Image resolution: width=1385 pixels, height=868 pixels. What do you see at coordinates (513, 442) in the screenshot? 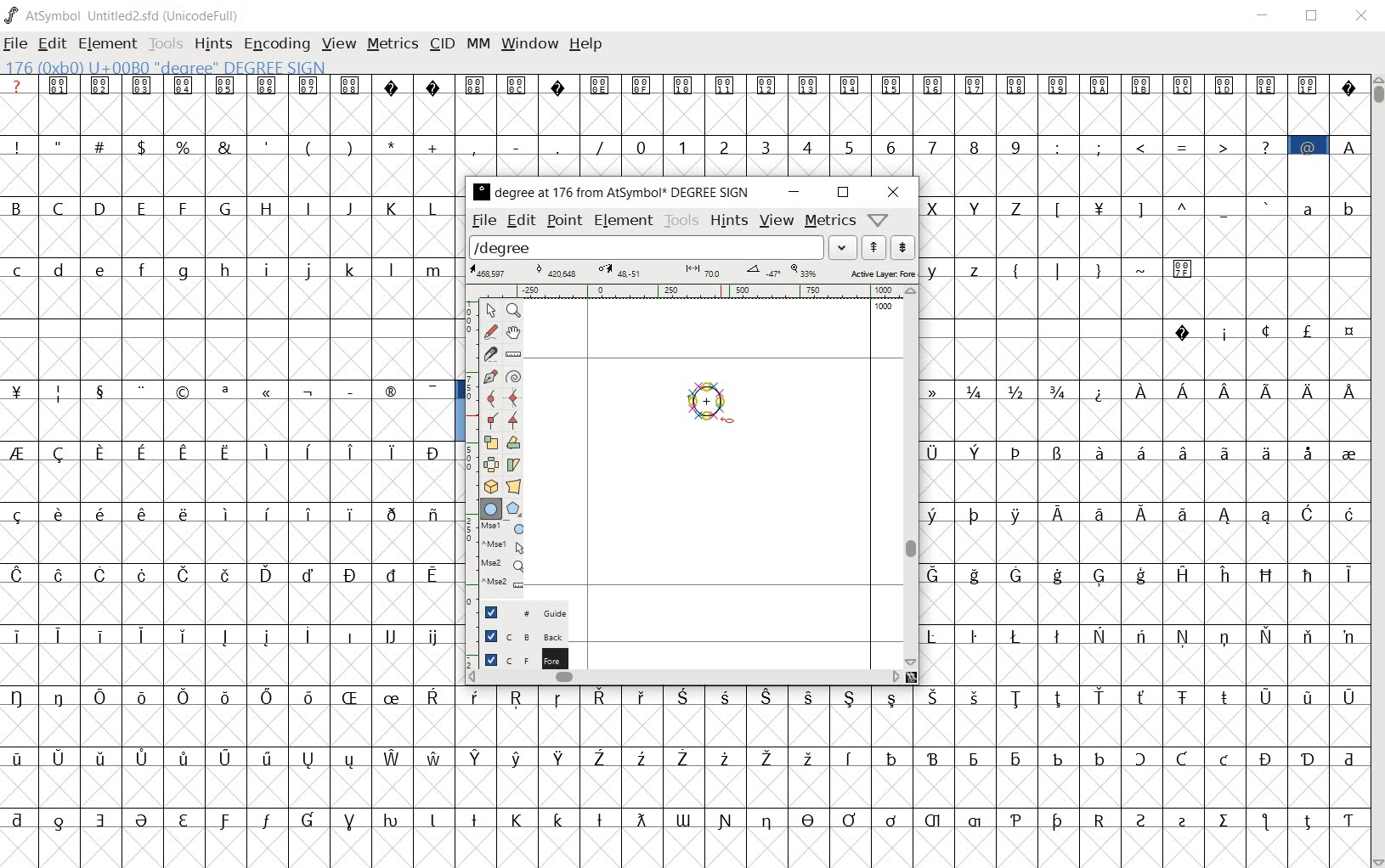
I see `Rotate the selection` at bounding box center [513, 442].